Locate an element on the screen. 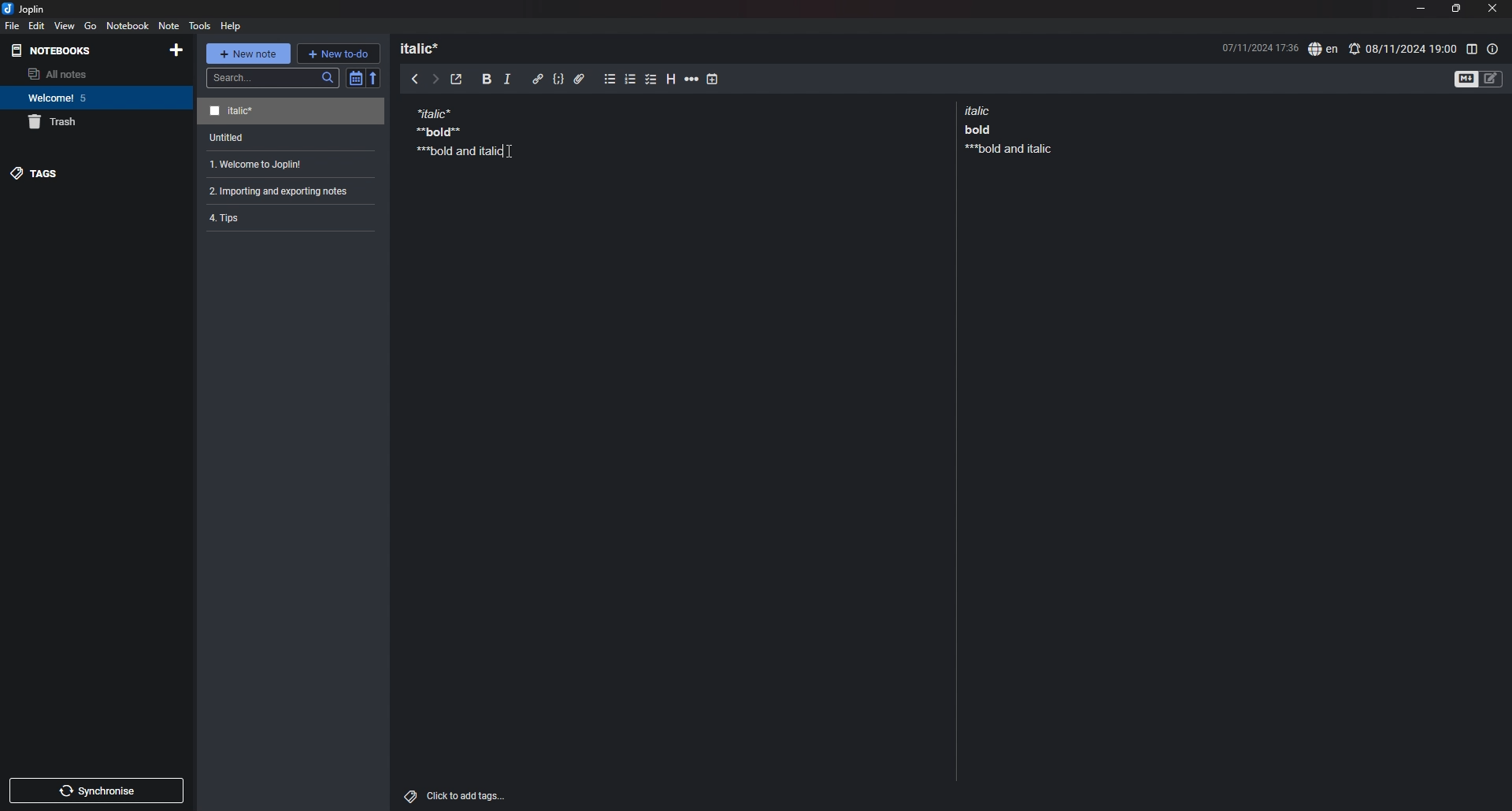 This screenshot has width=1512, height=811. notebooks is located at coordinates (55, 50).